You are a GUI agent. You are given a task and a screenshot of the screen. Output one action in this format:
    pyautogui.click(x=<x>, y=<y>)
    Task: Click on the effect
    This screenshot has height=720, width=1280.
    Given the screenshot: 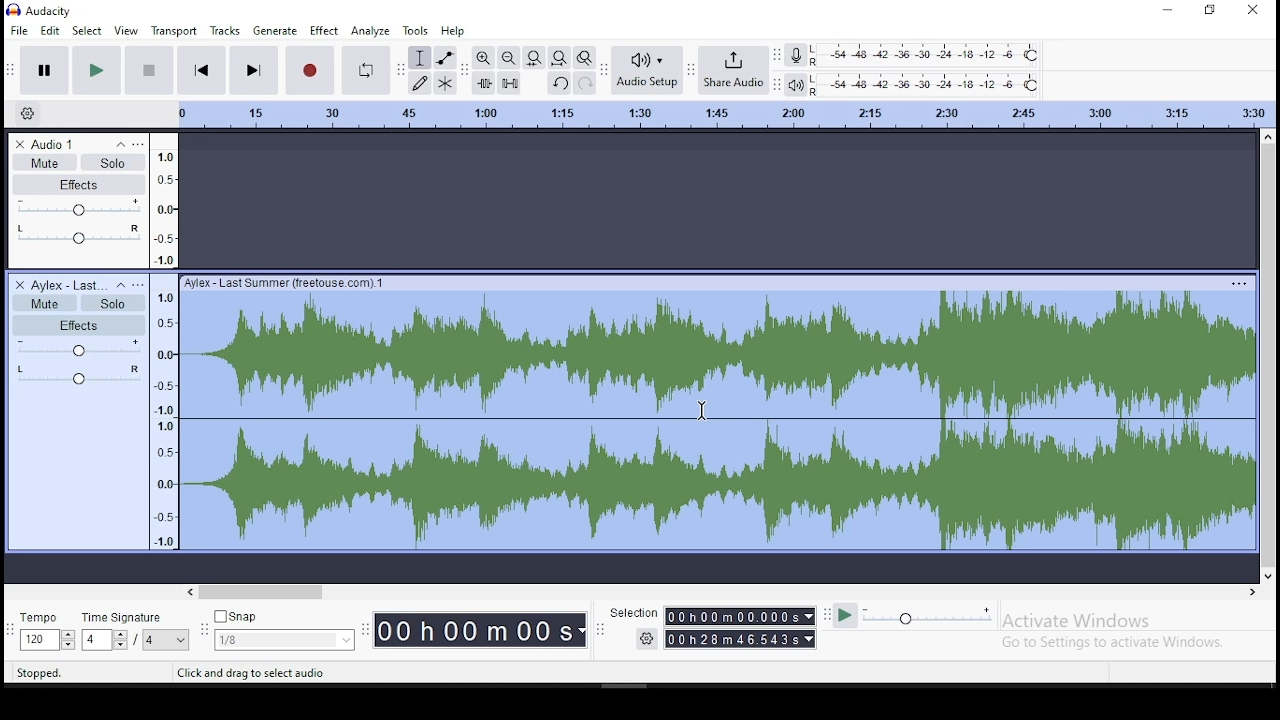 What is the action you would take?
    pyautogui.click(x=324, y=31)
    